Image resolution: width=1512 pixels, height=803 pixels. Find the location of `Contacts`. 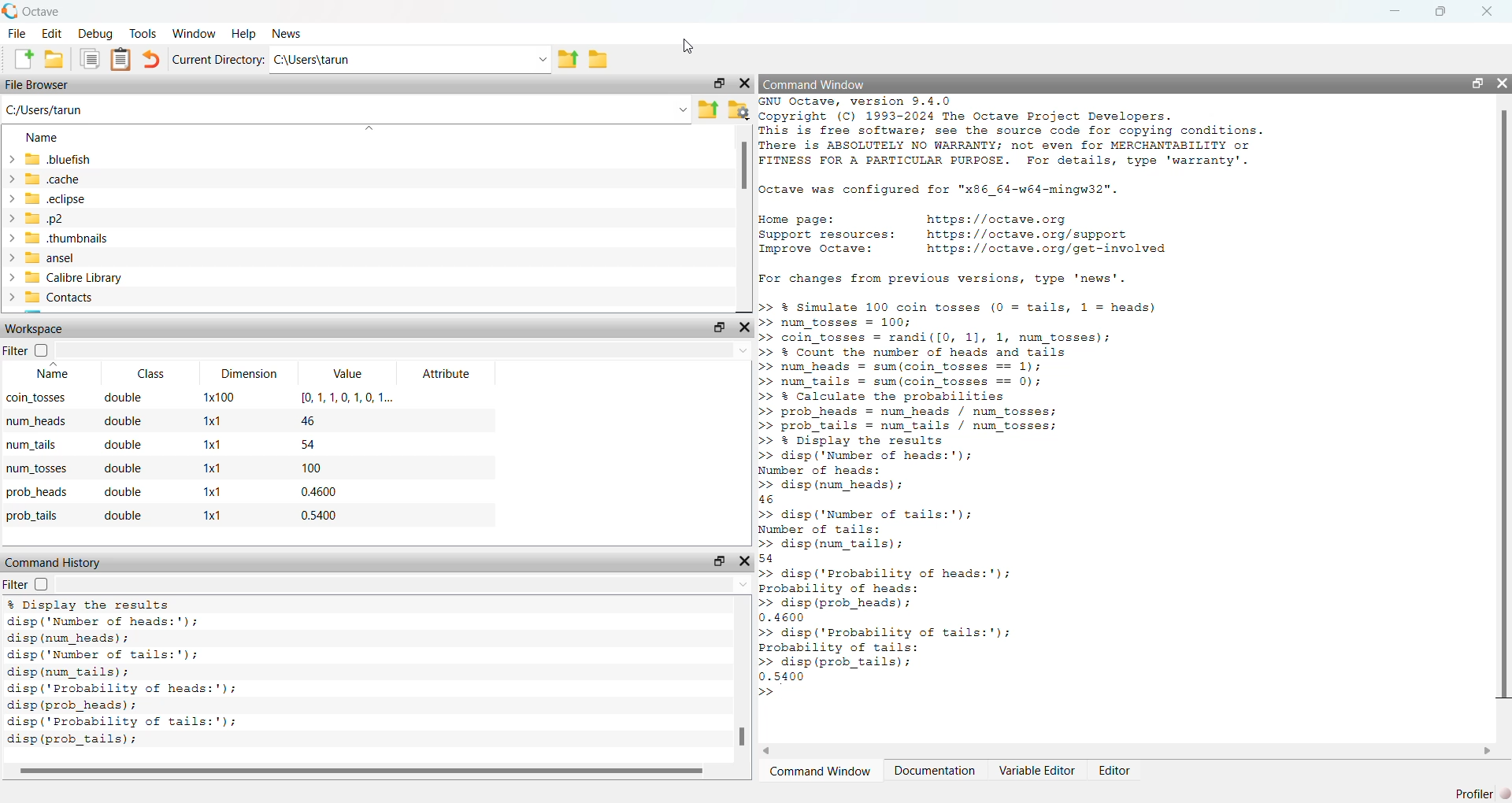

Contacts is located at coordinates (51, 298).